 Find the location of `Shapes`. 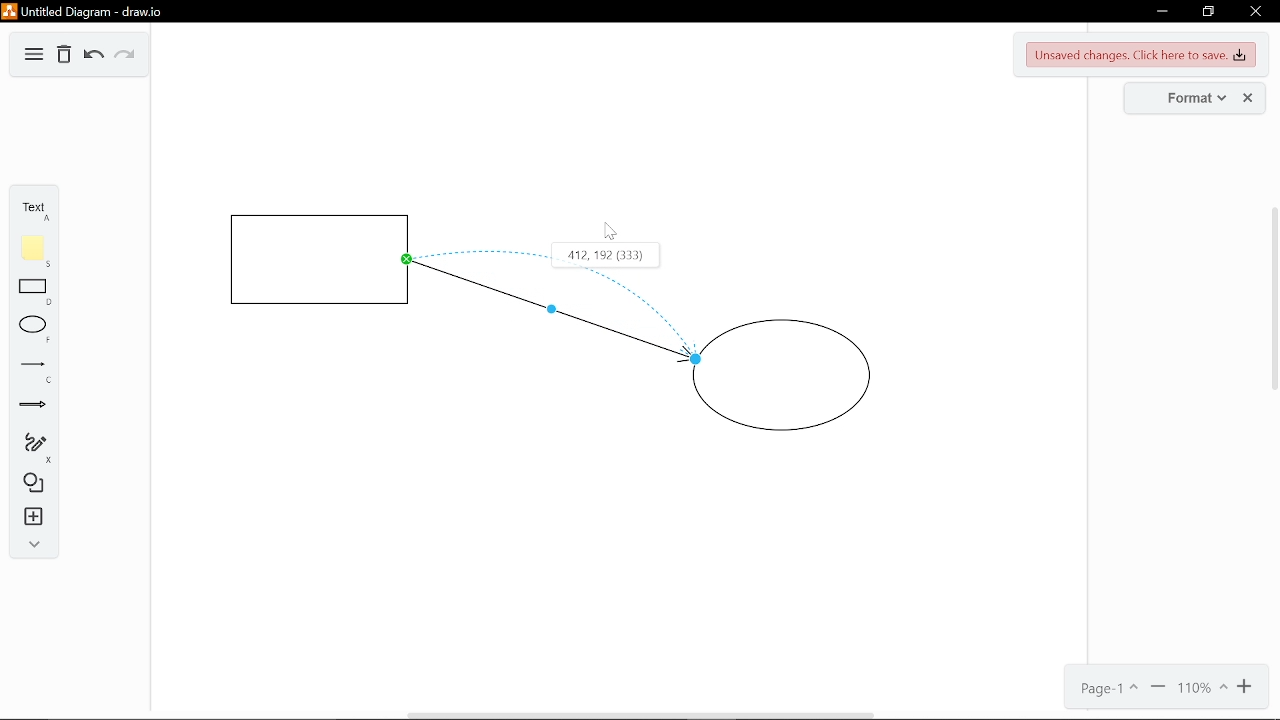

Shapes is located at coordinates (33, 486).